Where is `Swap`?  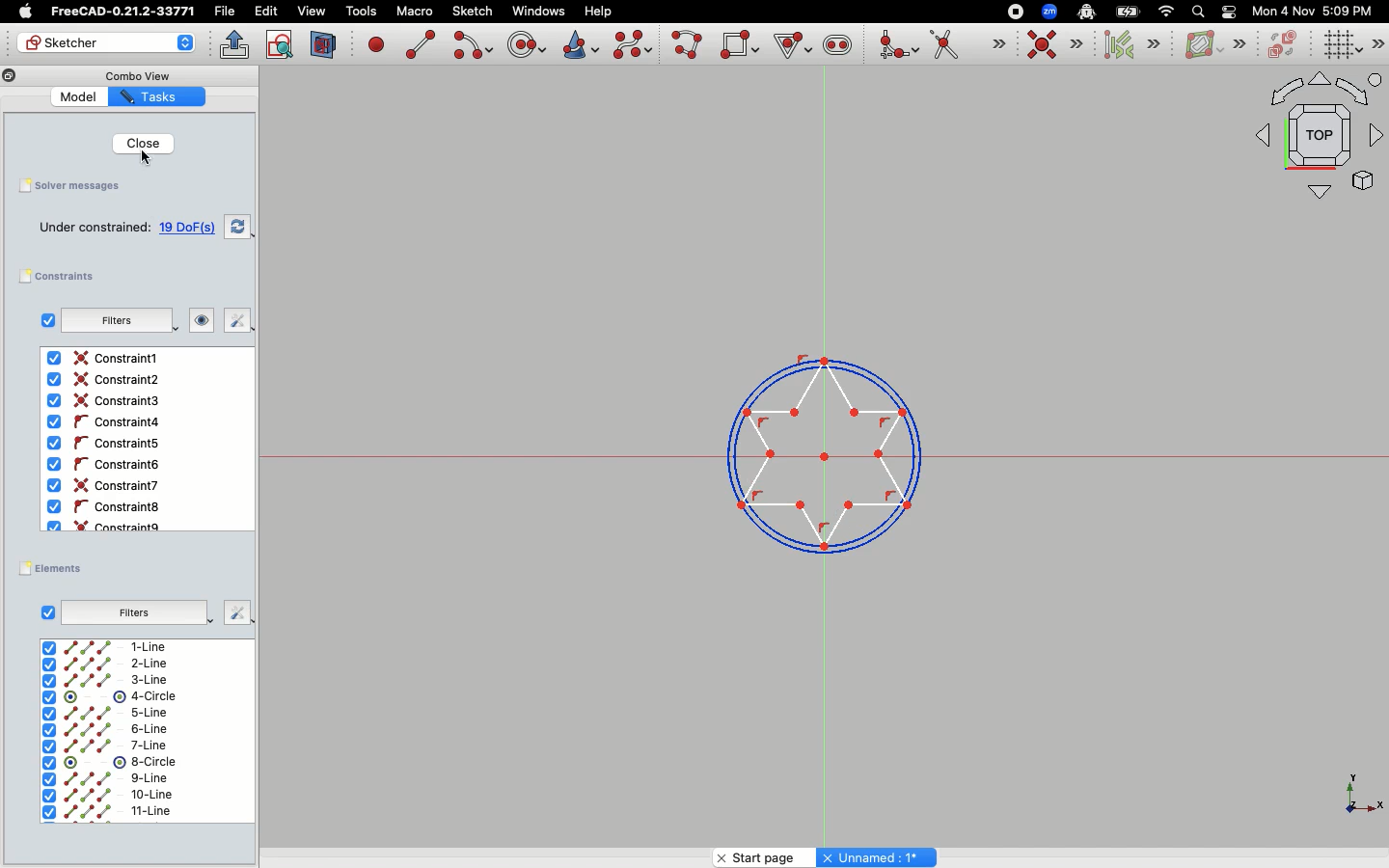
Swap is located at coordinates (239, 227).